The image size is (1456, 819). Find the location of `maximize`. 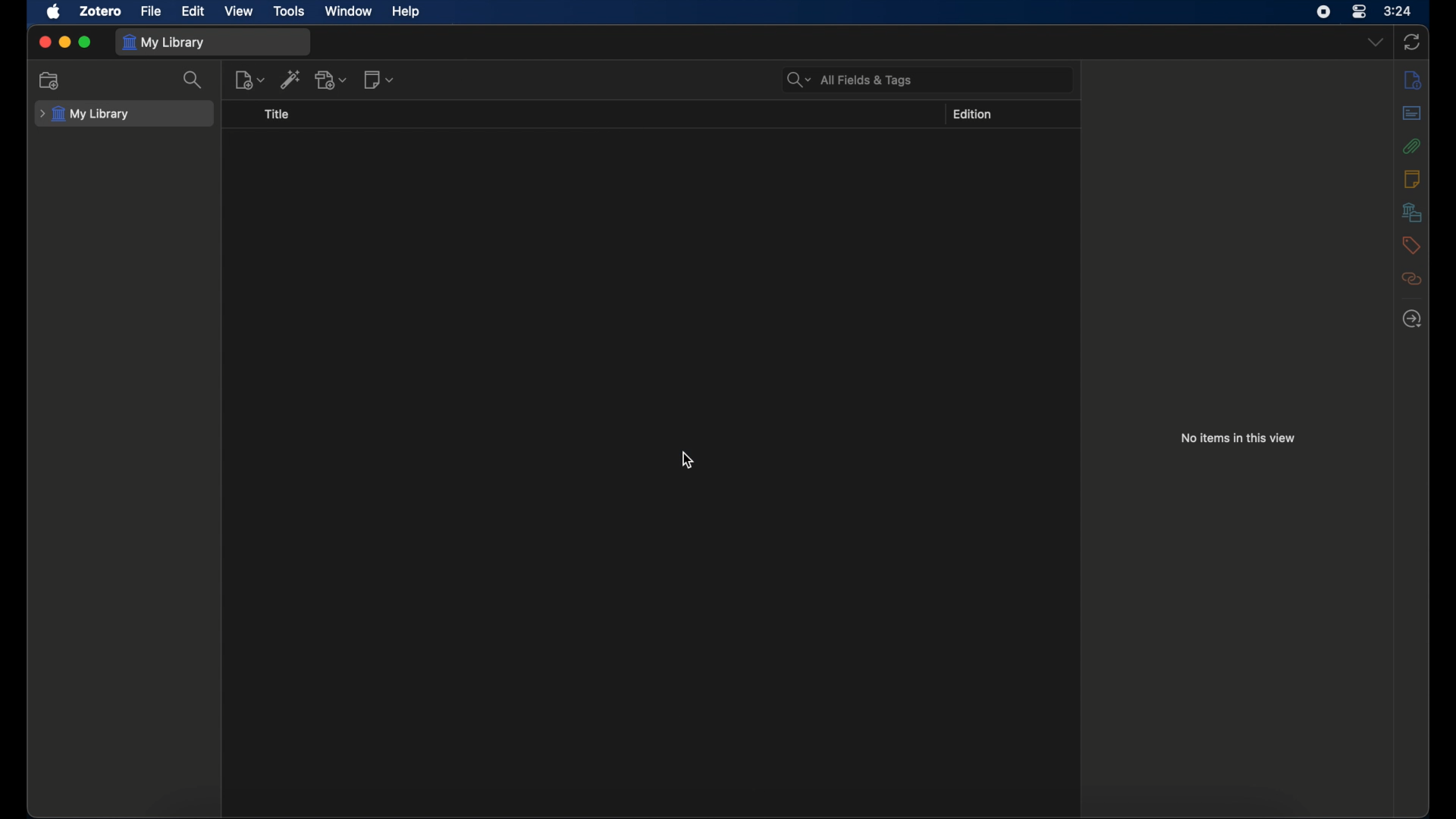

maximize is located at coordinates (86, 42).